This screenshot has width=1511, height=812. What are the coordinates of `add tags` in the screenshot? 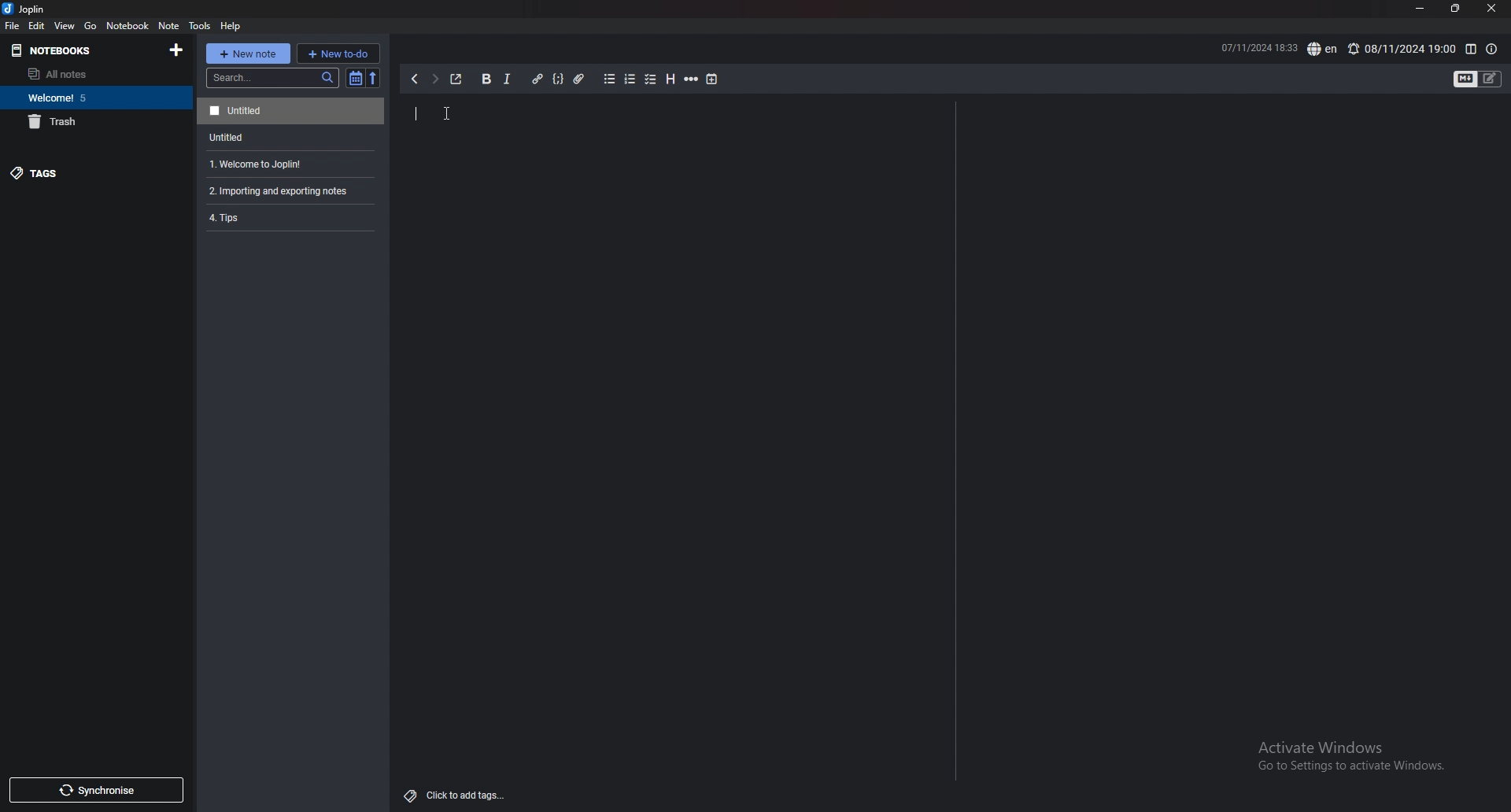 It's located at (456, 796).